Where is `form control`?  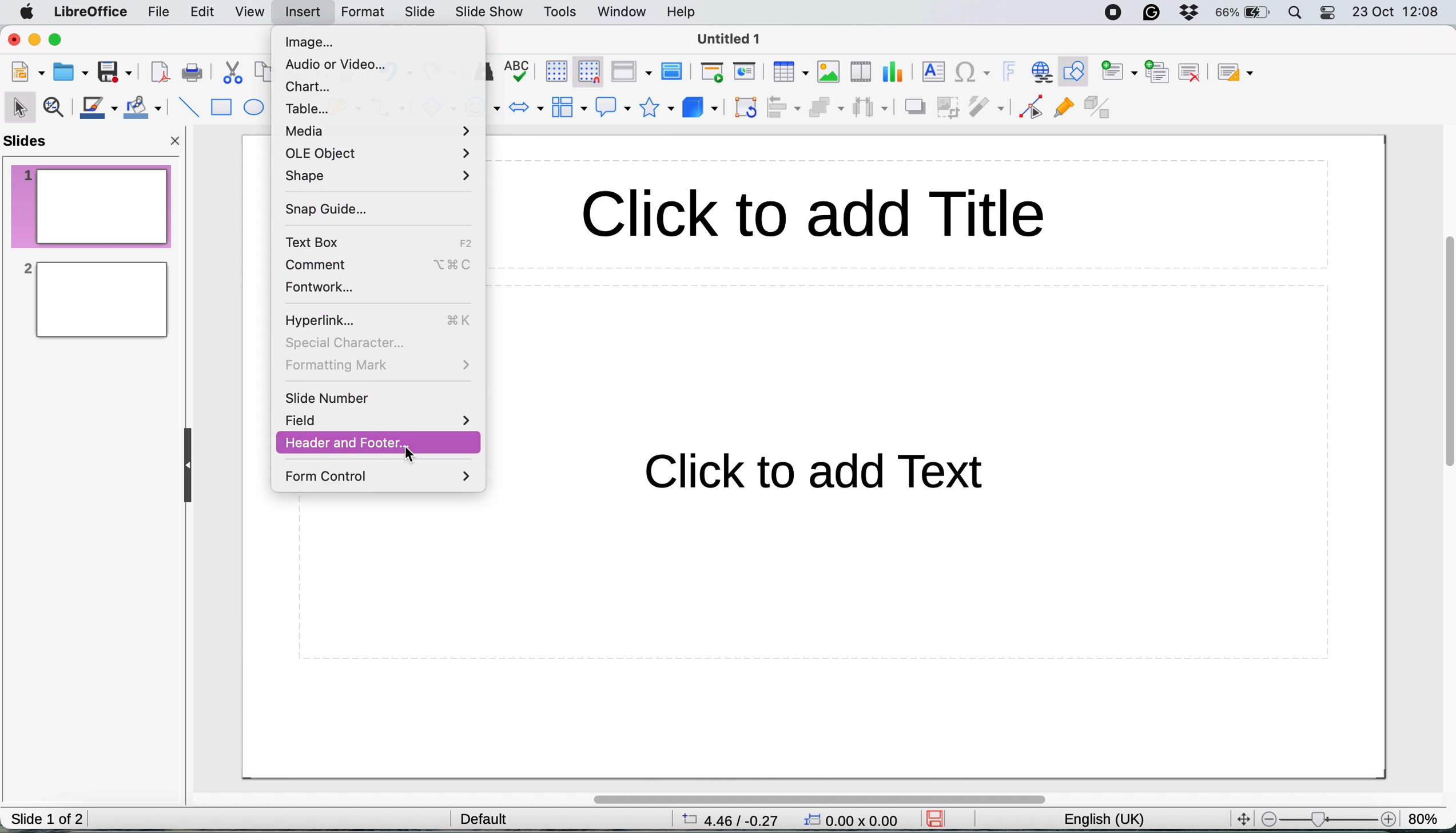 form control is located at coordinates (380, 477).